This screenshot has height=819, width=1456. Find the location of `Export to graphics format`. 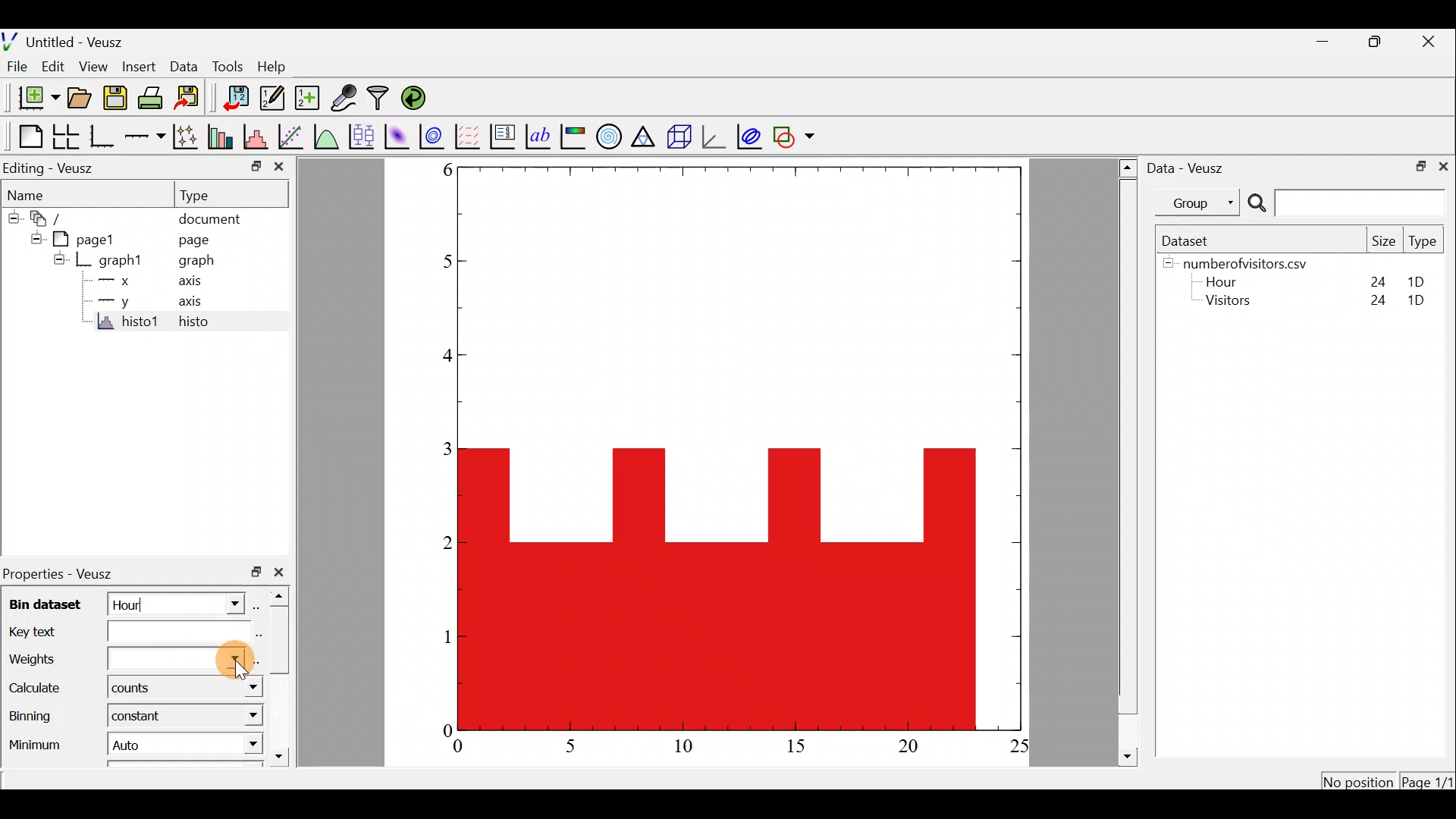

Export to graphics format is located at coordinates (193, 99).